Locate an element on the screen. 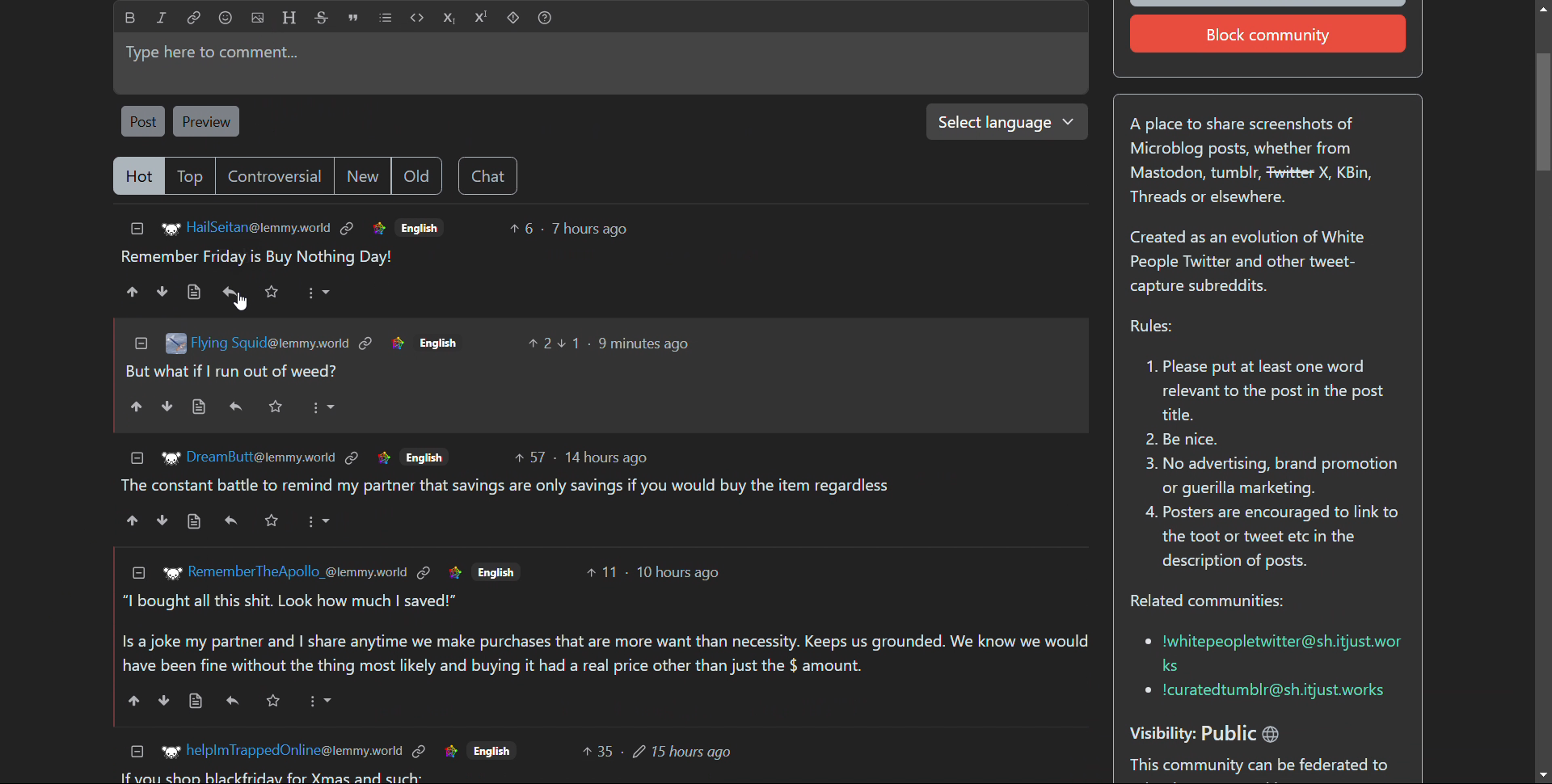  time of posting is located at coordinates (606, 457).